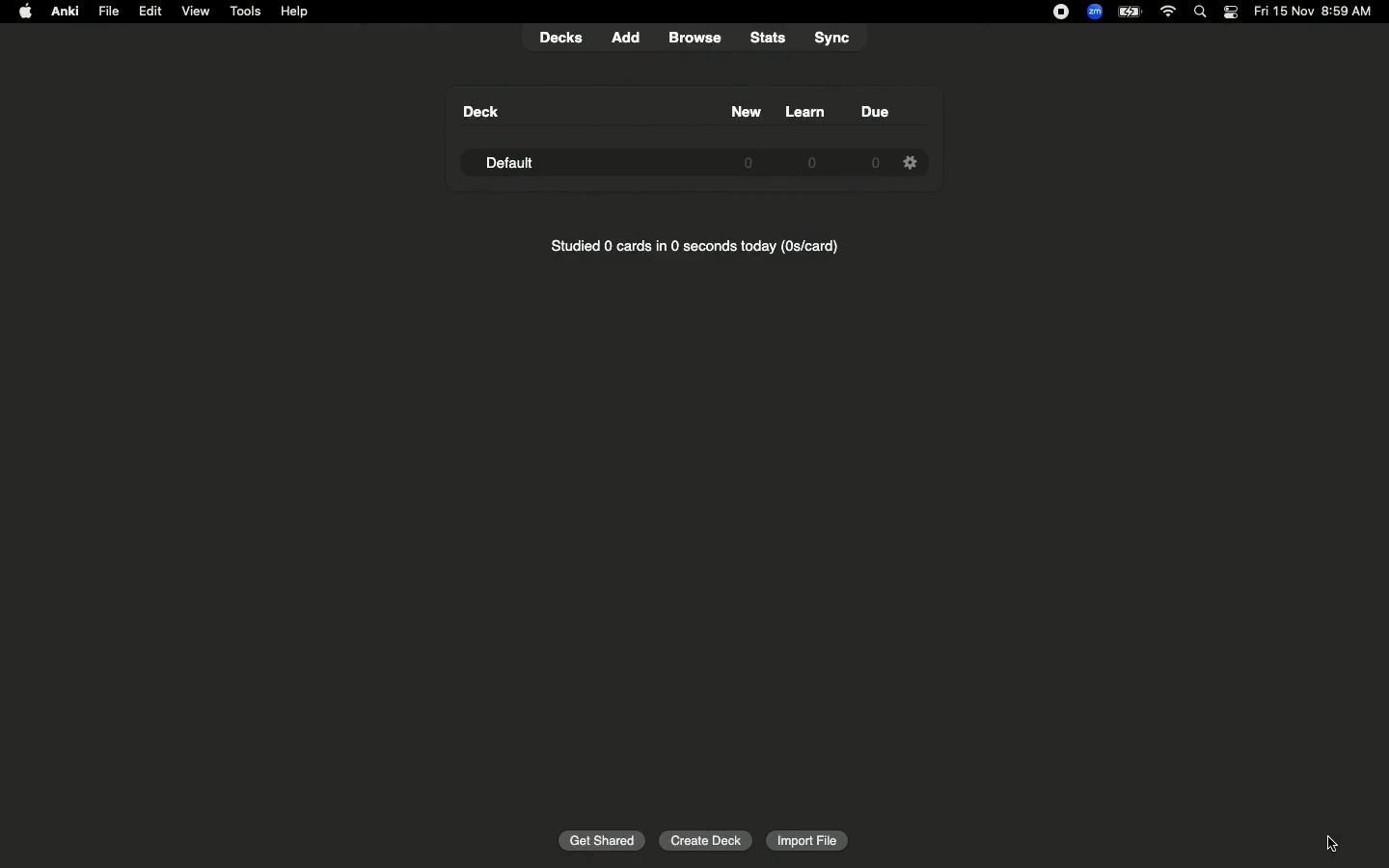  I want to click on Recording, so click(1063, 12).